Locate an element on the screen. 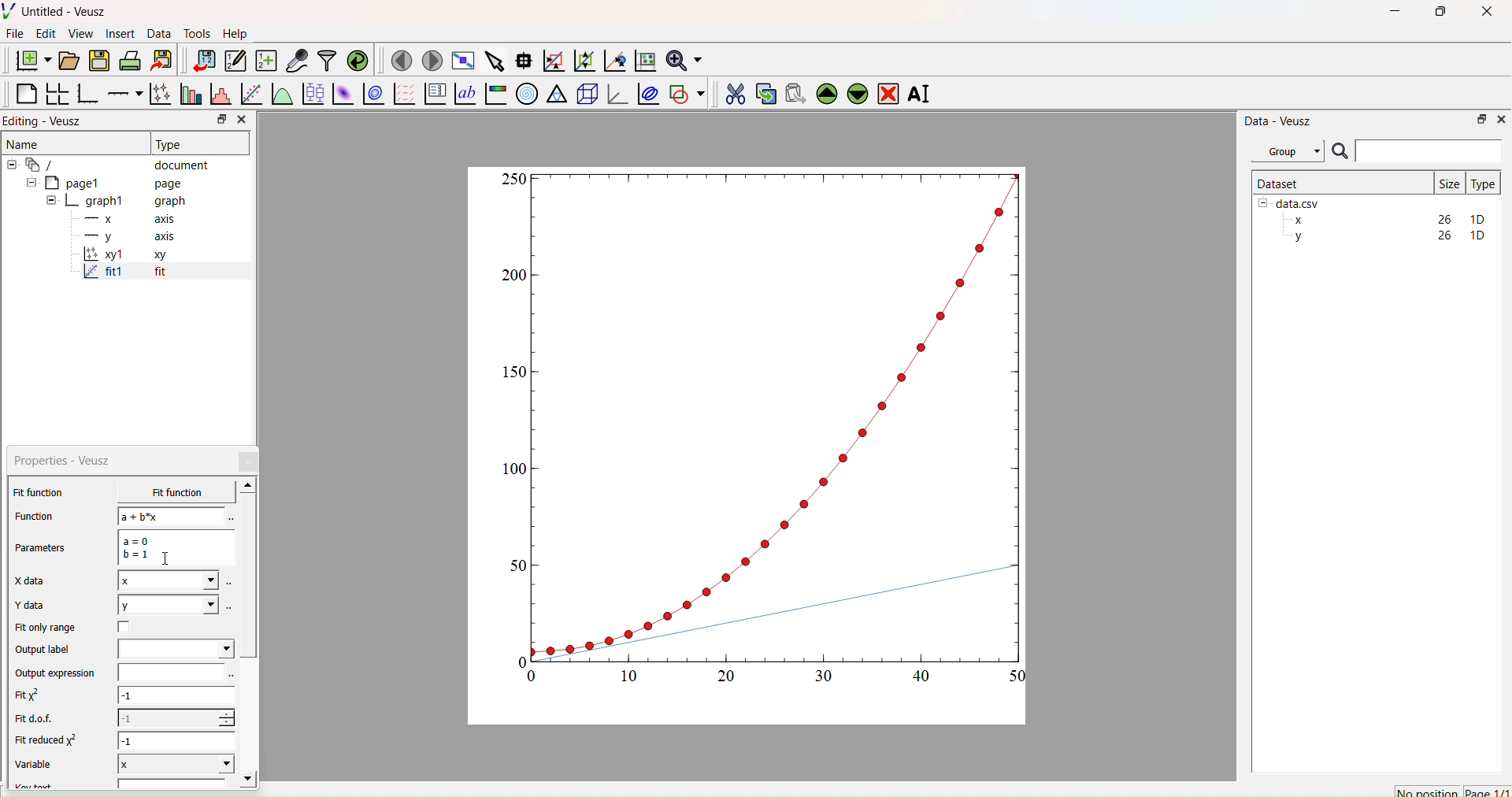  Select using dataset browser is located at coordinates (230, 677).